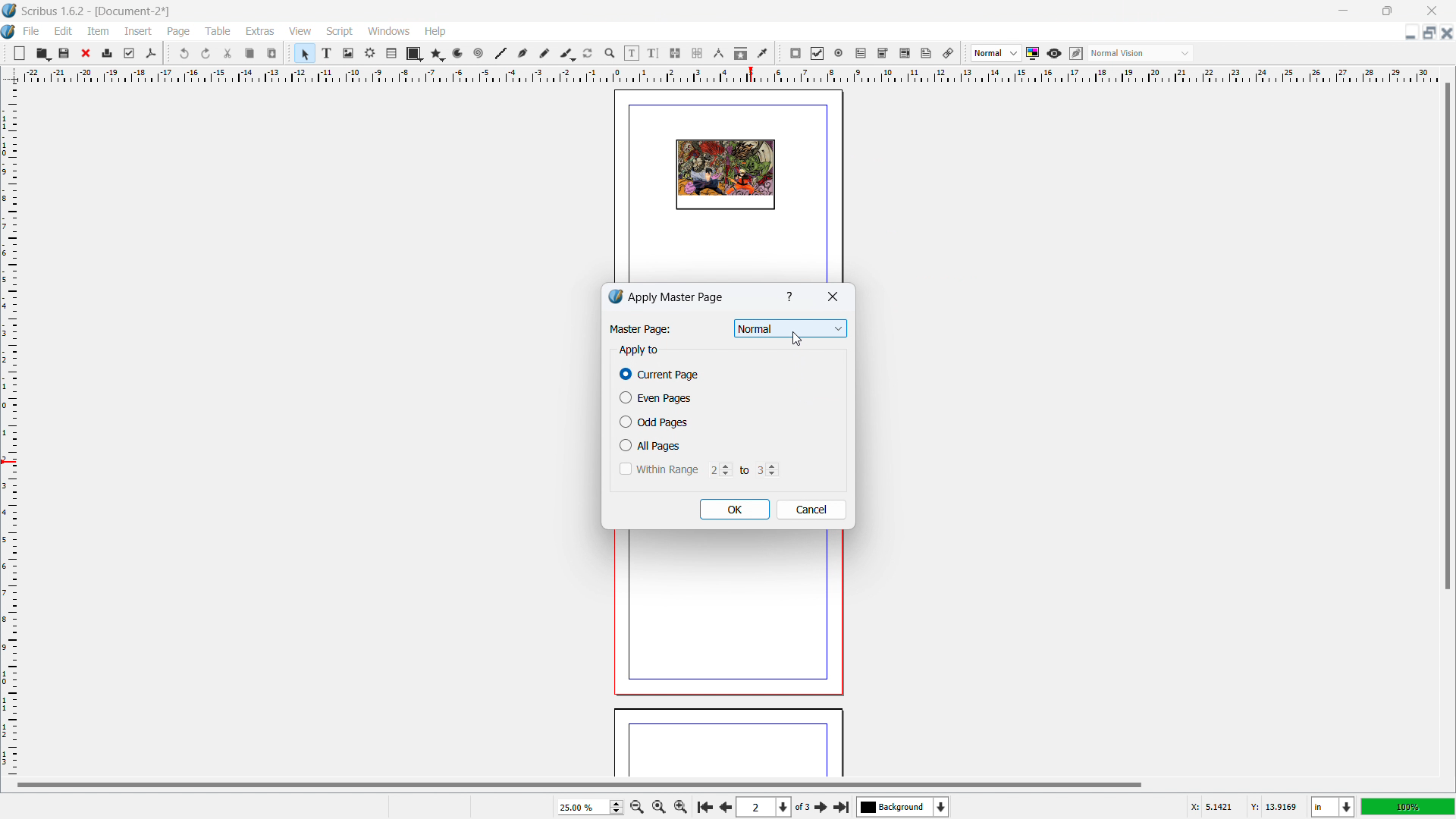 This screenshot has height=819, width=1456. I want to click on caligraphic line, so click(567, 54).